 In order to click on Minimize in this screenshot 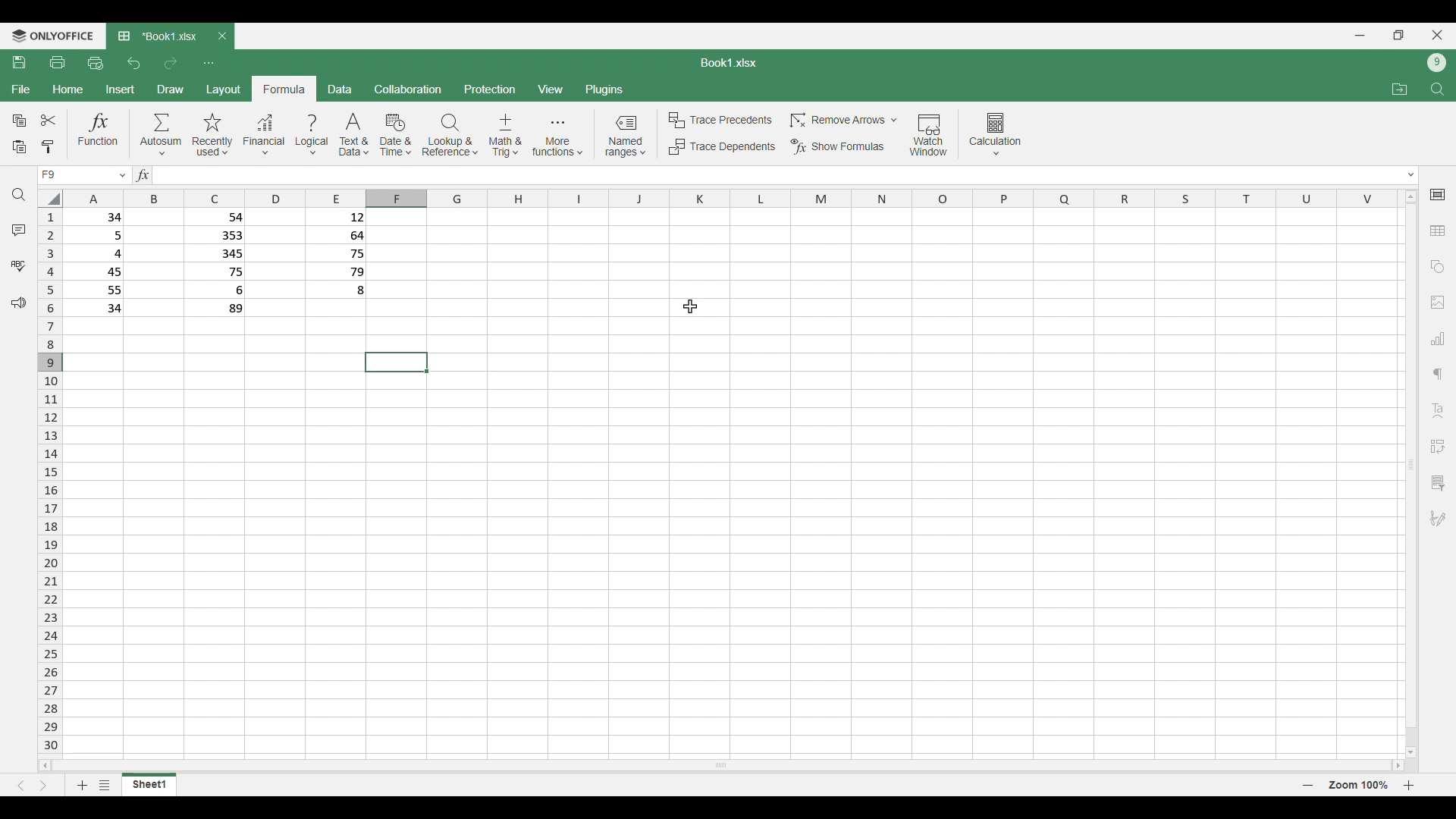, I will do `click(1360, 36)`.